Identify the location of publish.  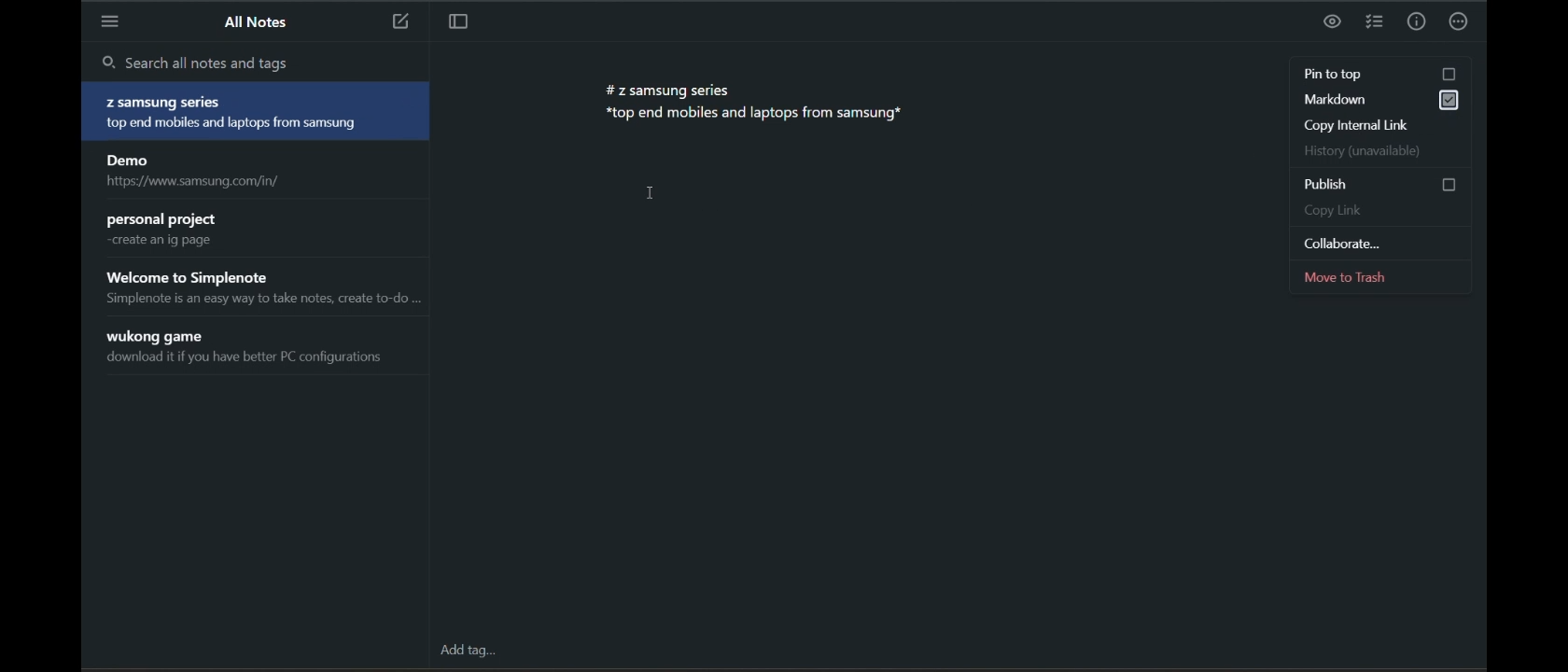
(1379, 183).